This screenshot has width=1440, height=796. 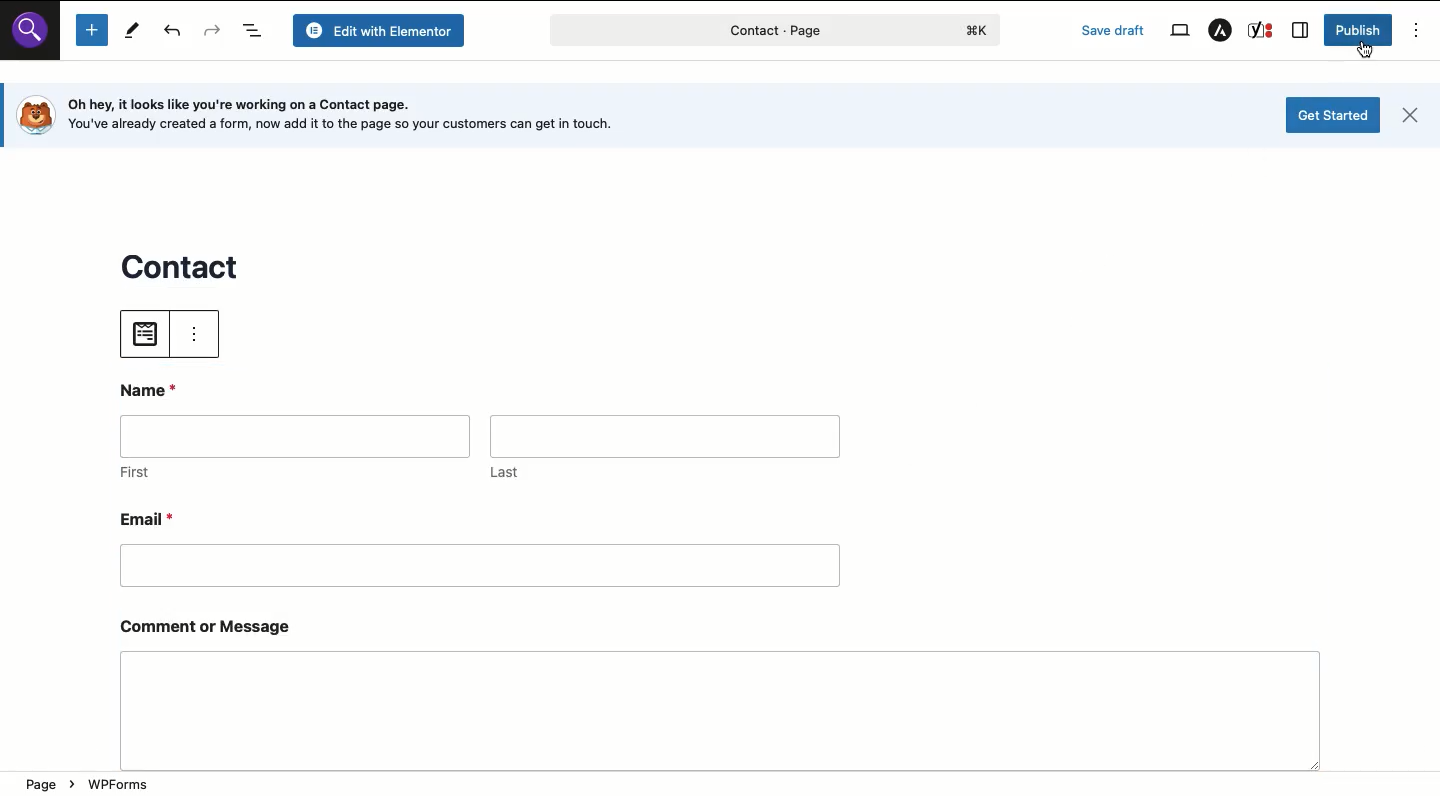 What do you see at coordinates (981, 30) in the screenshot?
I see `logo` at bounding box center [981, 30].